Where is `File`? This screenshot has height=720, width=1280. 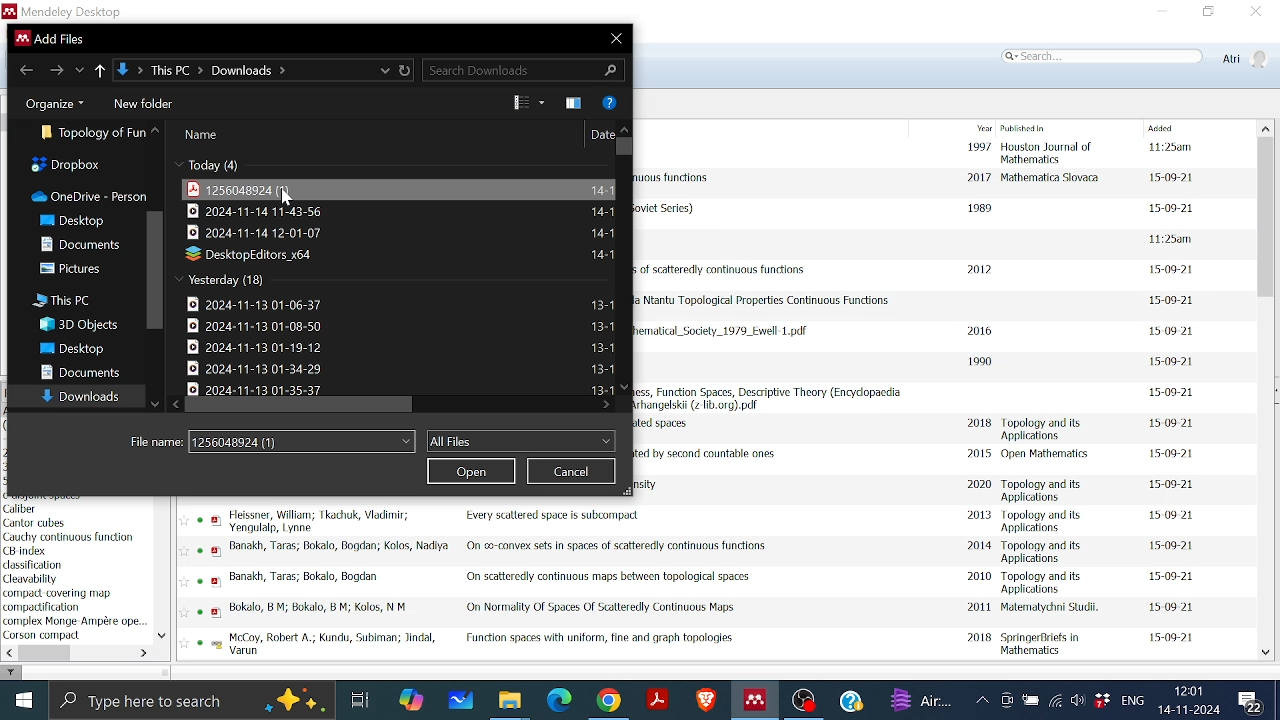
File is located at coordinates (257, 234).